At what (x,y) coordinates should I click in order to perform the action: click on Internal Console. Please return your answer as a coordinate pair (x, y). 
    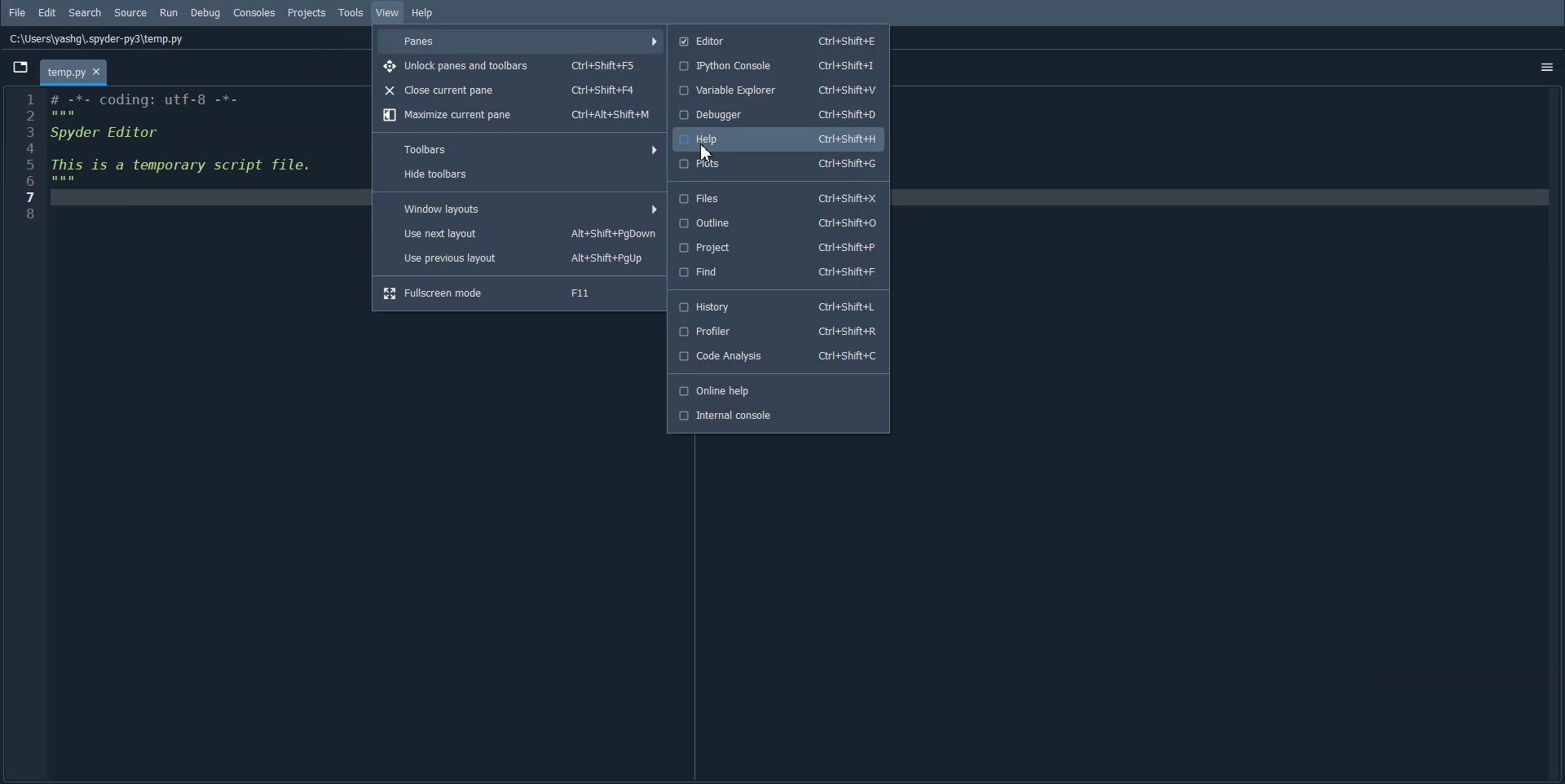
    Looking at the image, I should click on (778, 416).